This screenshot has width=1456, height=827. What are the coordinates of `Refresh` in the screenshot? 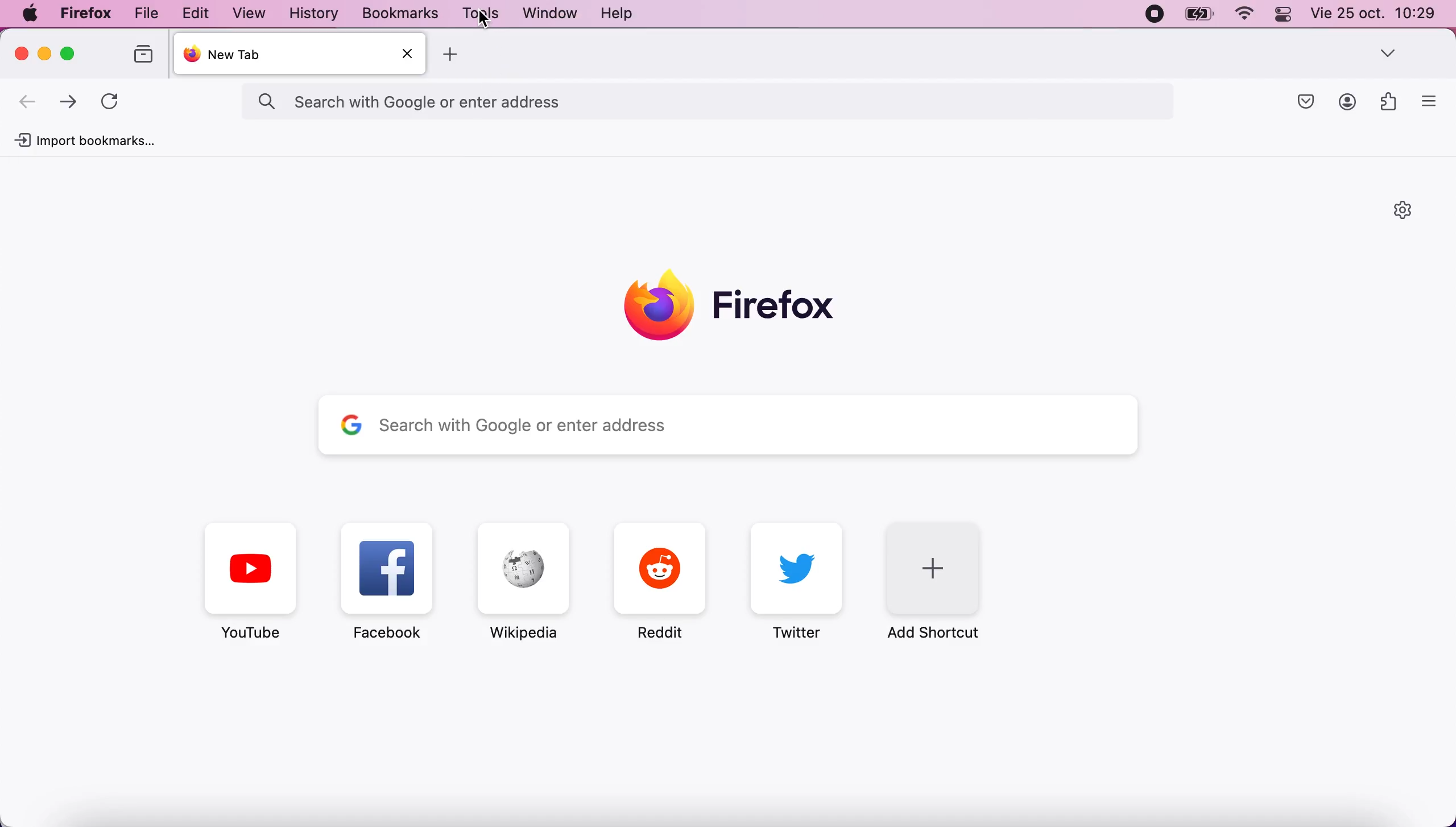 It's located at (109, 103).